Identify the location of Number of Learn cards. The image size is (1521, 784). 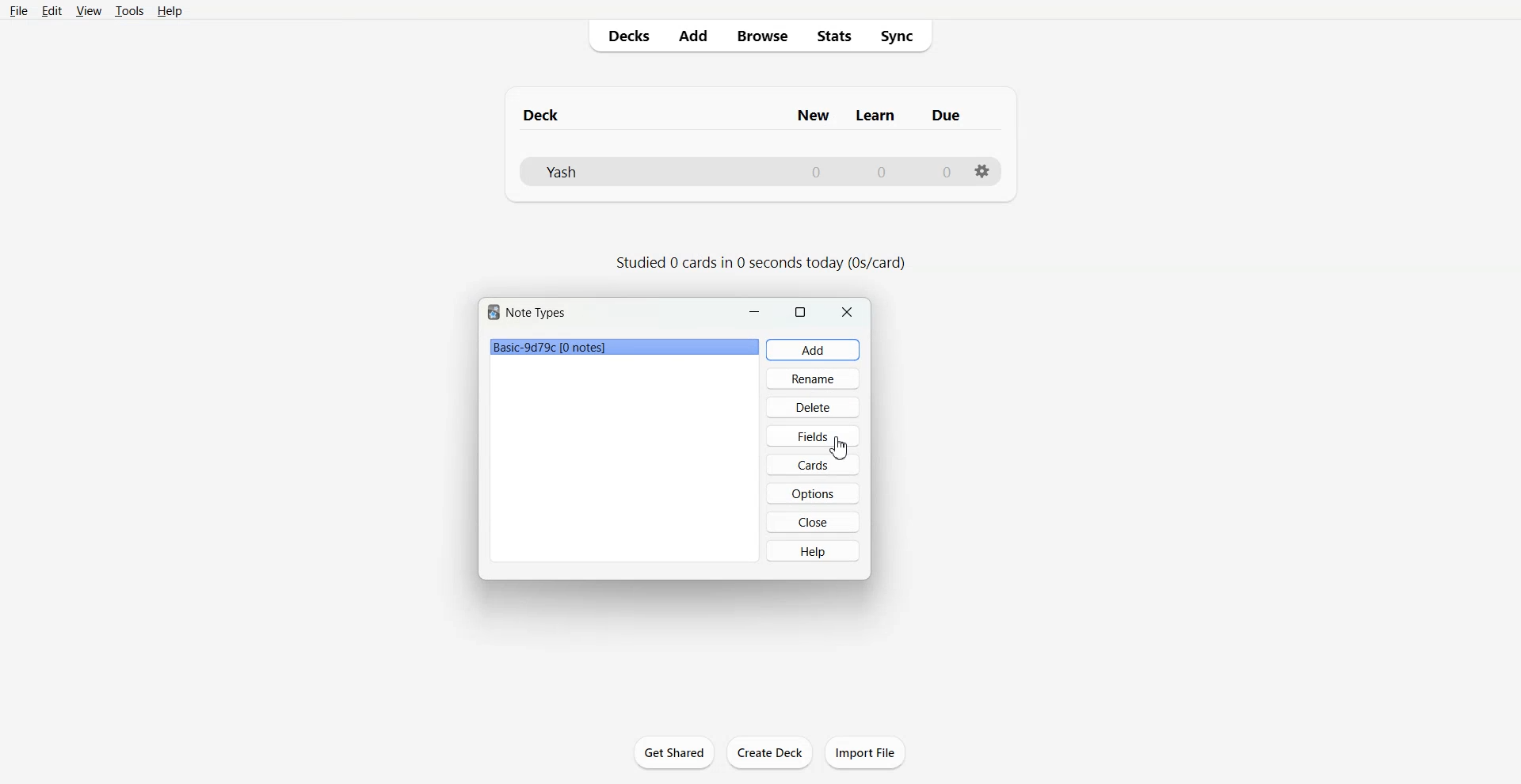
(882, 171).